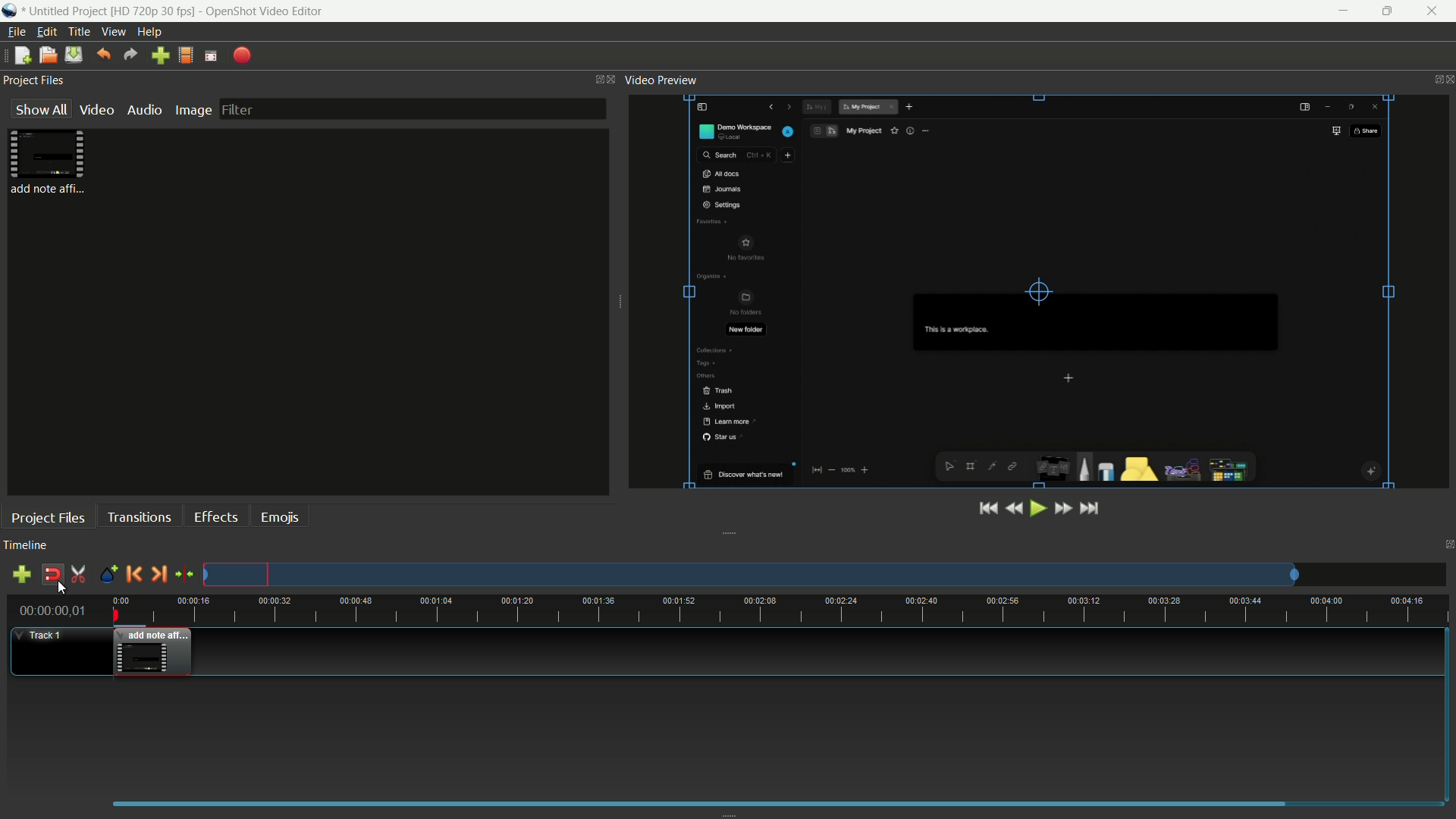 The image size is (1456, 819). What do you see at coordinates (240, 58) in the screenshot?
I see `export file` at bounding box center [240, 58].